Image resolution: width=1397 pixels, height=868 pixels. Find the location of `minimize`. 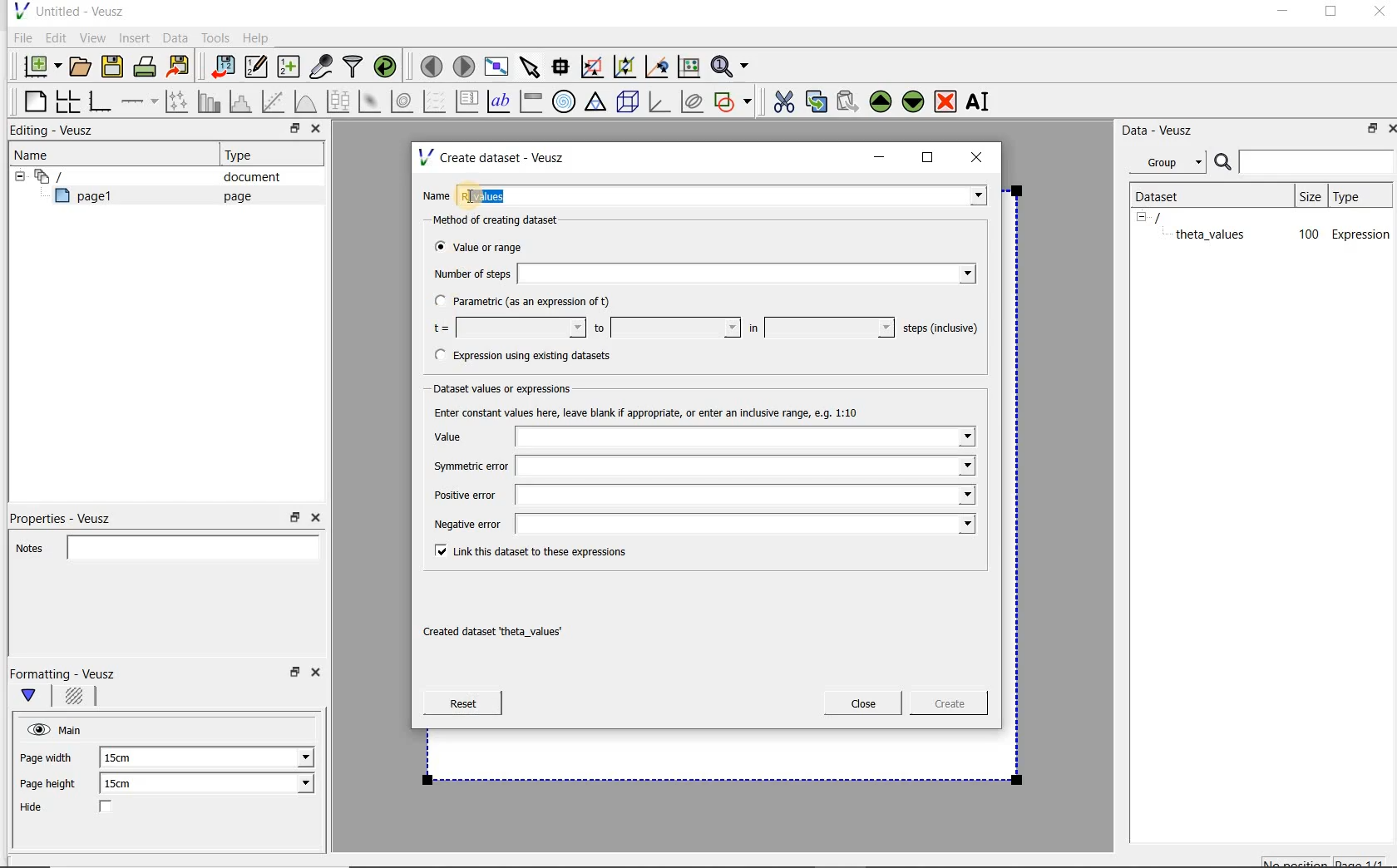

minimize is located at coordinates (880, 157).